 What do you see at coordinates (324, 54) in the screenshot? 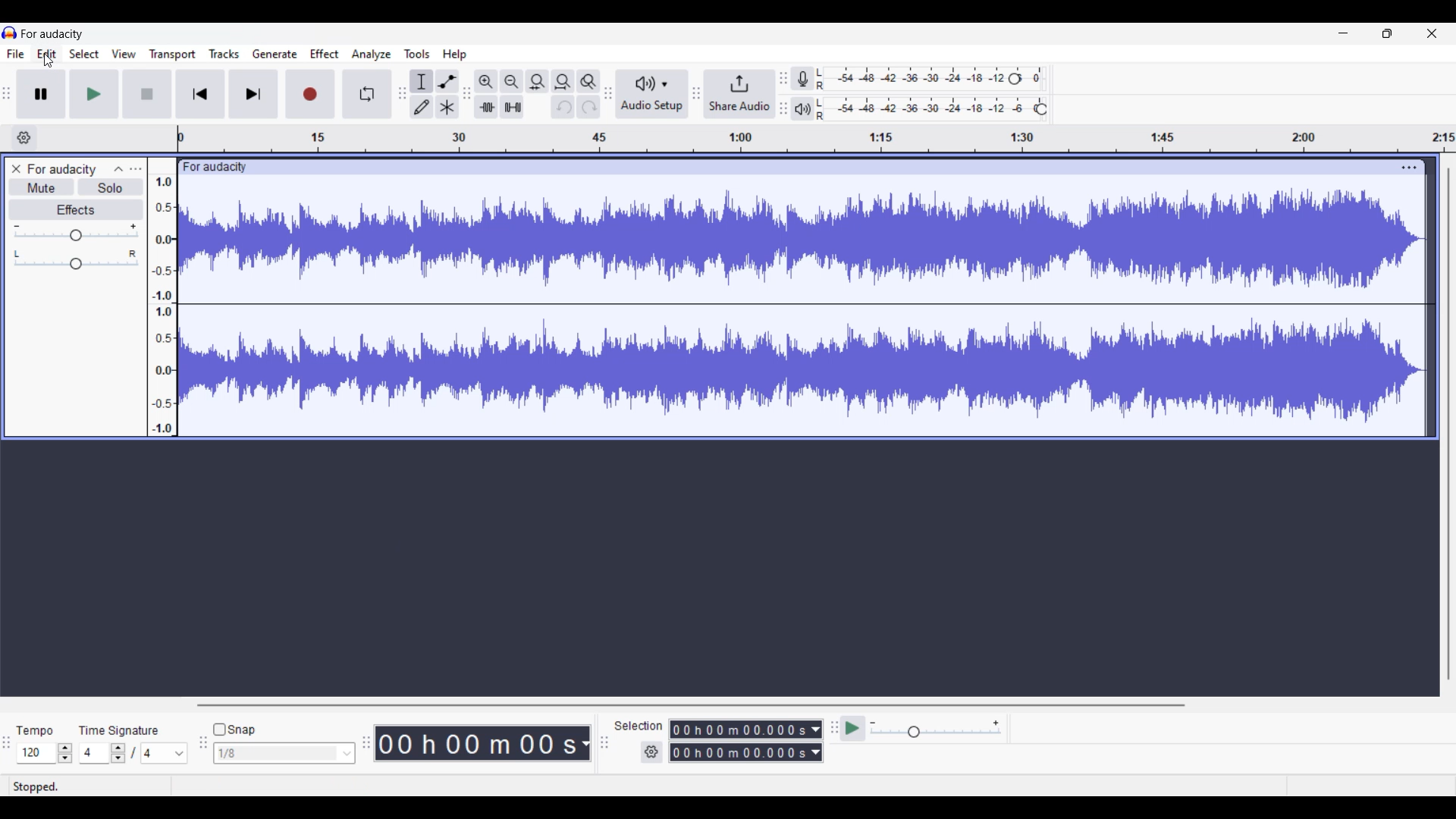
I see `Effect menu` at bounding box center [324, 54].